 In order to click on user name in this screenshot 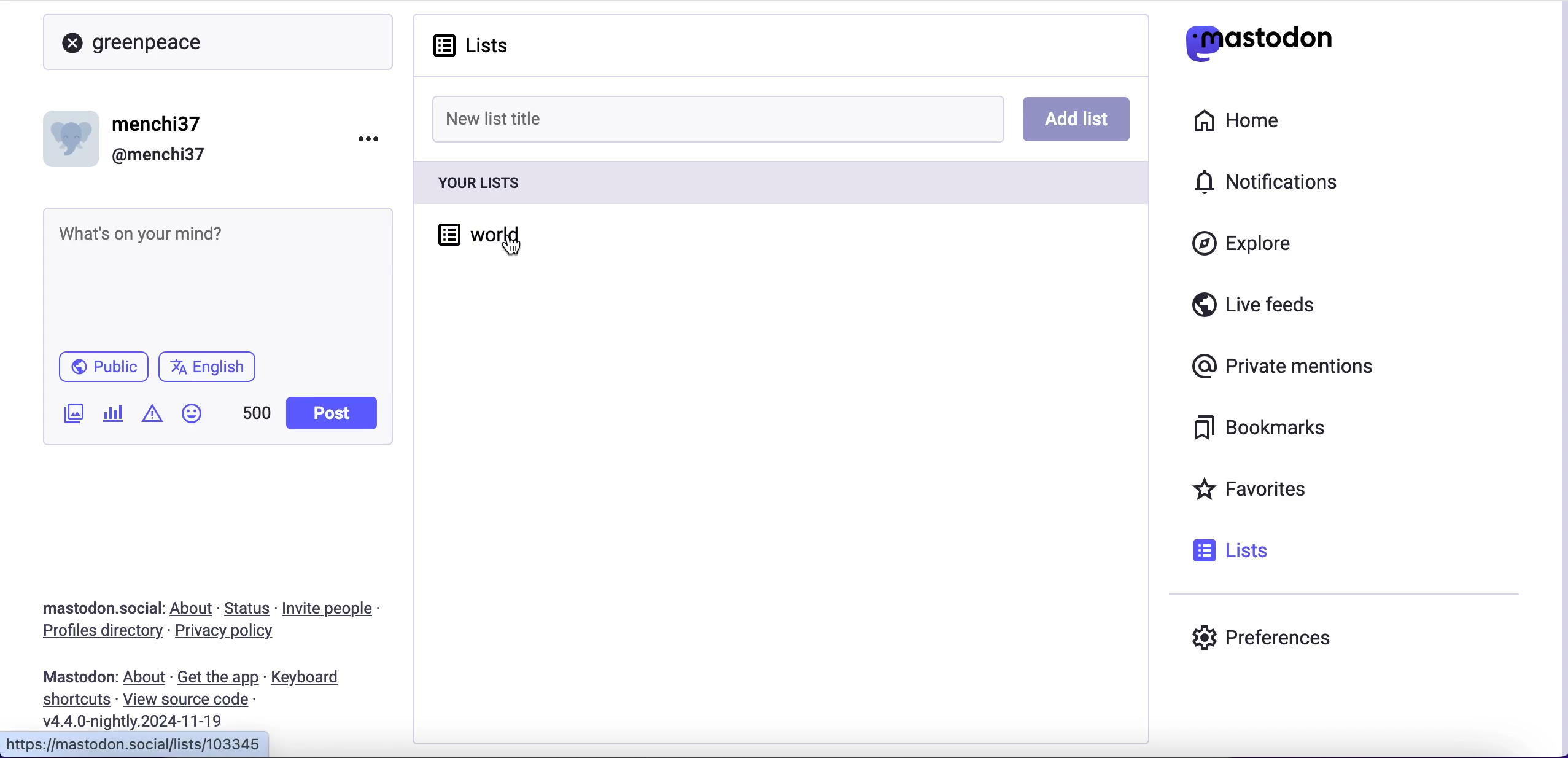, I will do `click(134, 137)`.